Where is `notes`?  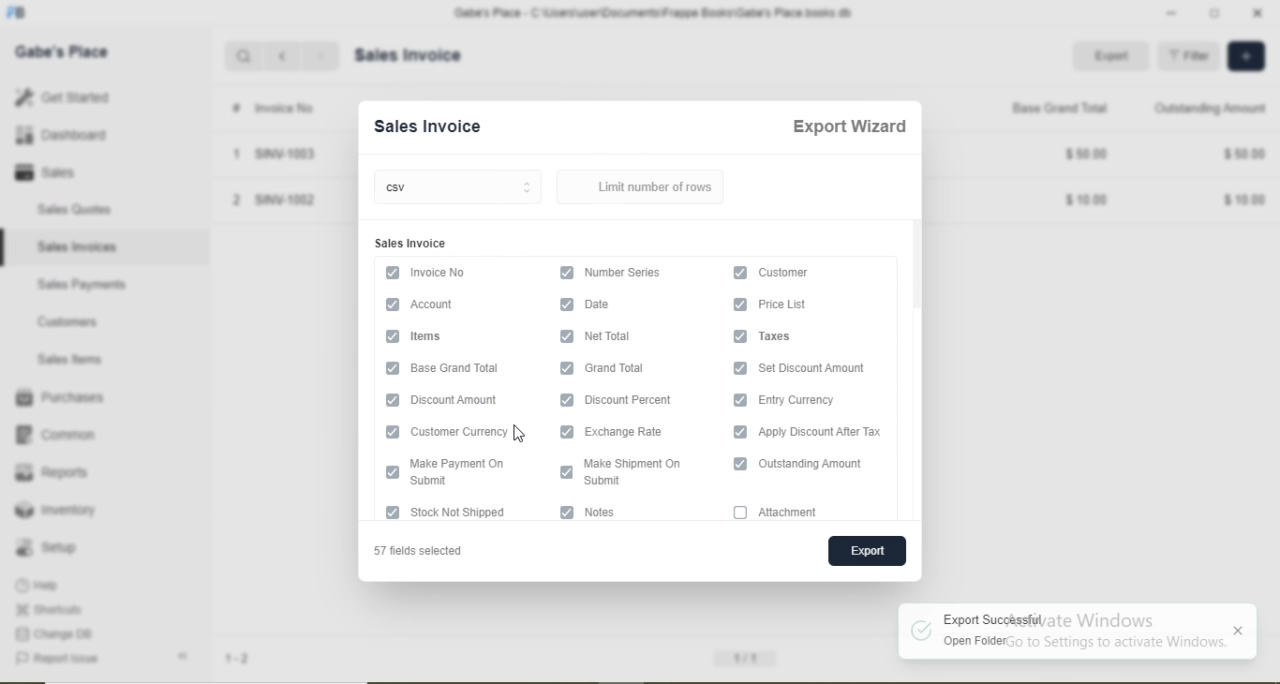 notes is located at coordinates (612, 514).